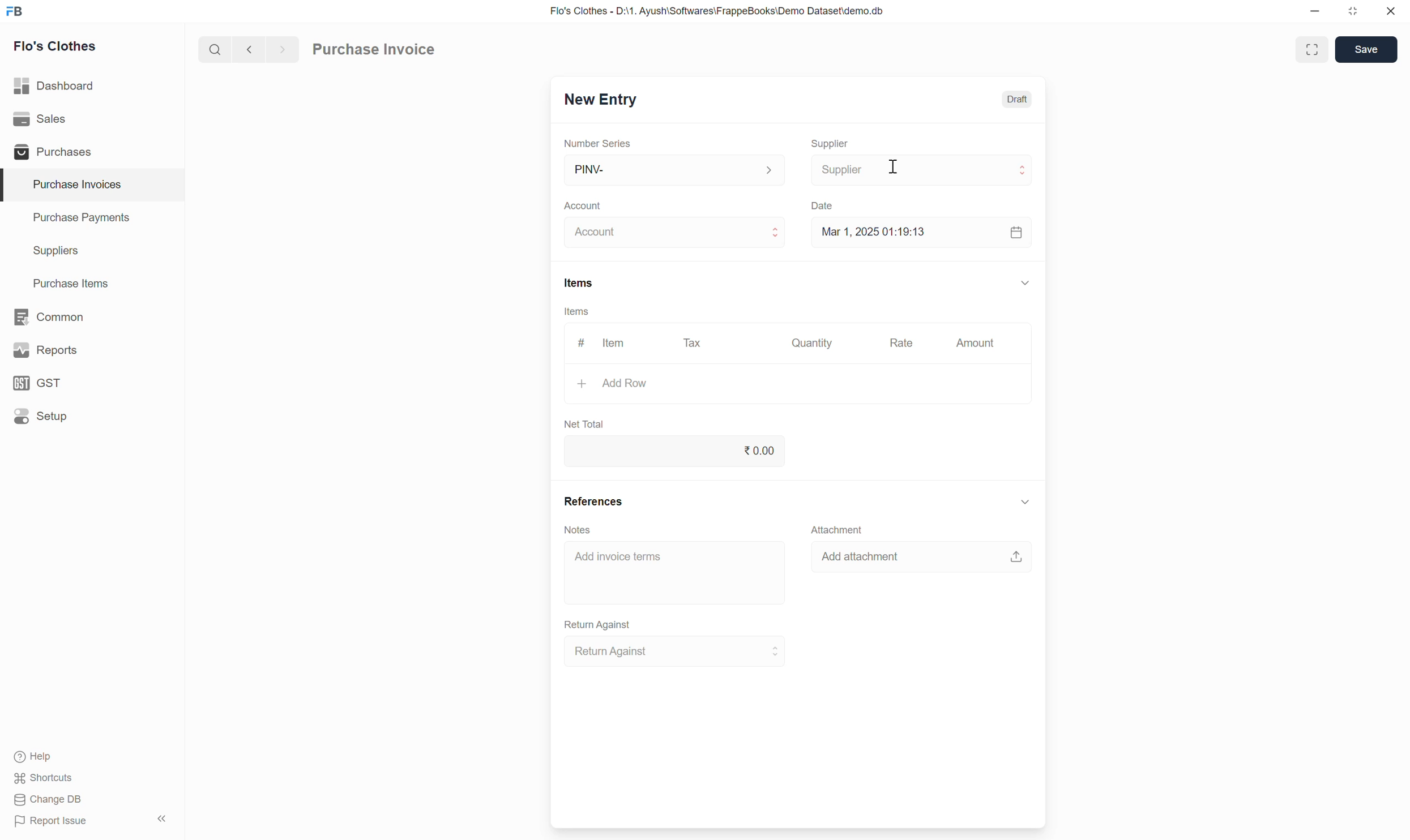  What do you see at coordinates (1351, 14) in the screenshot?
I see `restore down` at bounding box center [1351, 14].